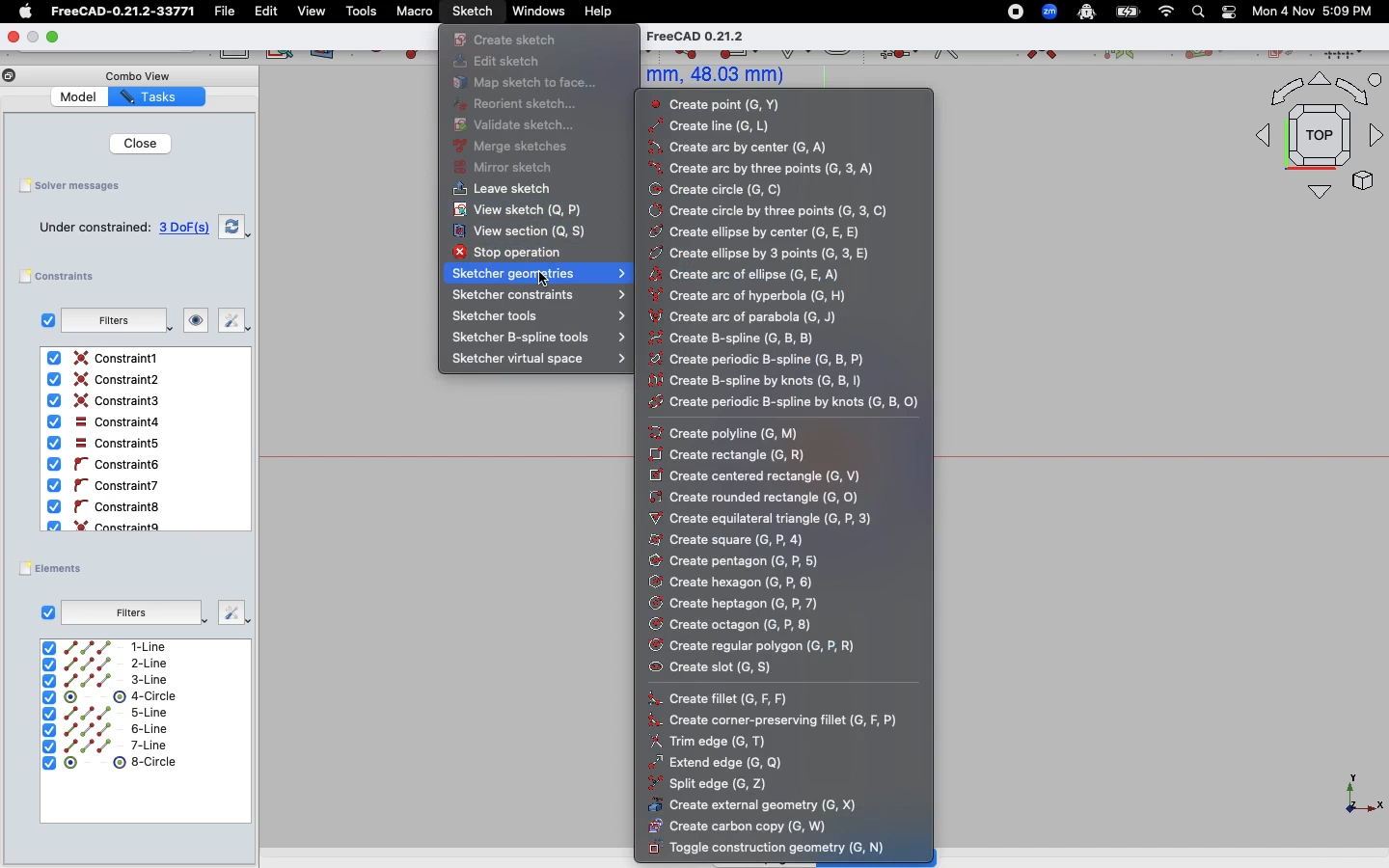  I want to click on Under constrained 3 DoF(s), so click(125, 228).